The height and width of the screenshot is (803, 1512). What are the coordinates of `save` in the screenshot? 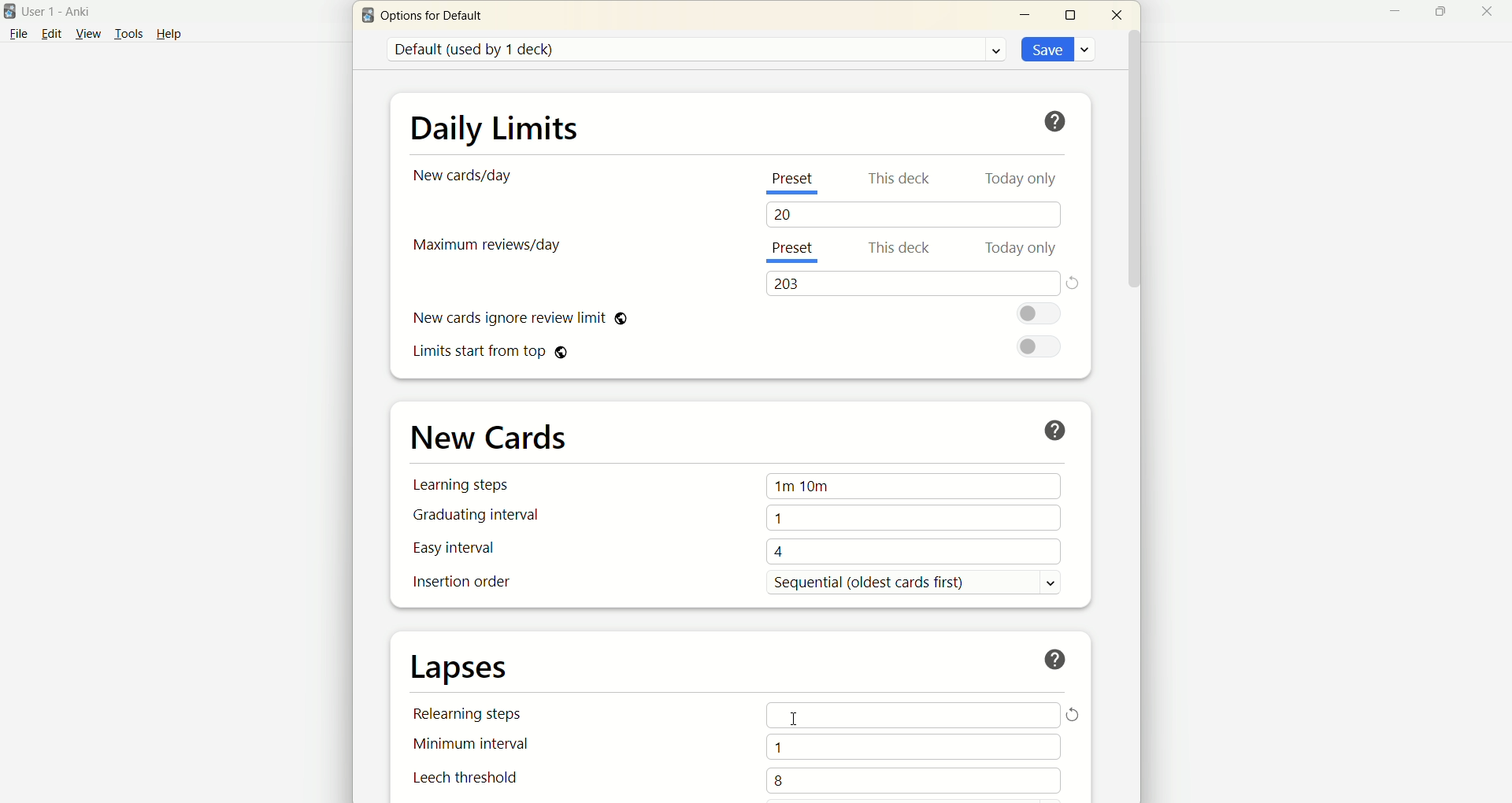 It's located at (1055, 47).